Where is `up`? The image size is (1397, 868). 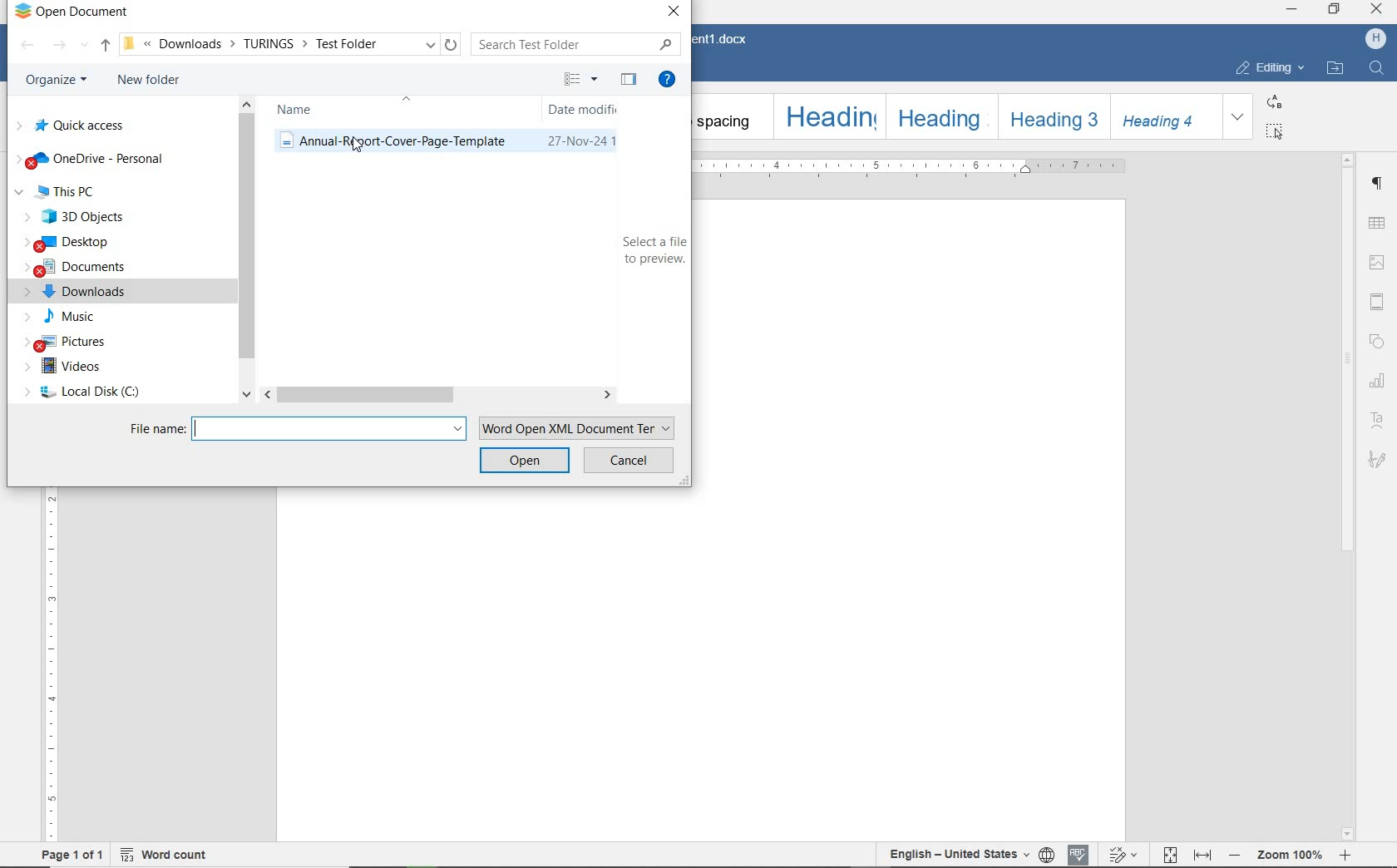 up is located at coordinates (104, 47).